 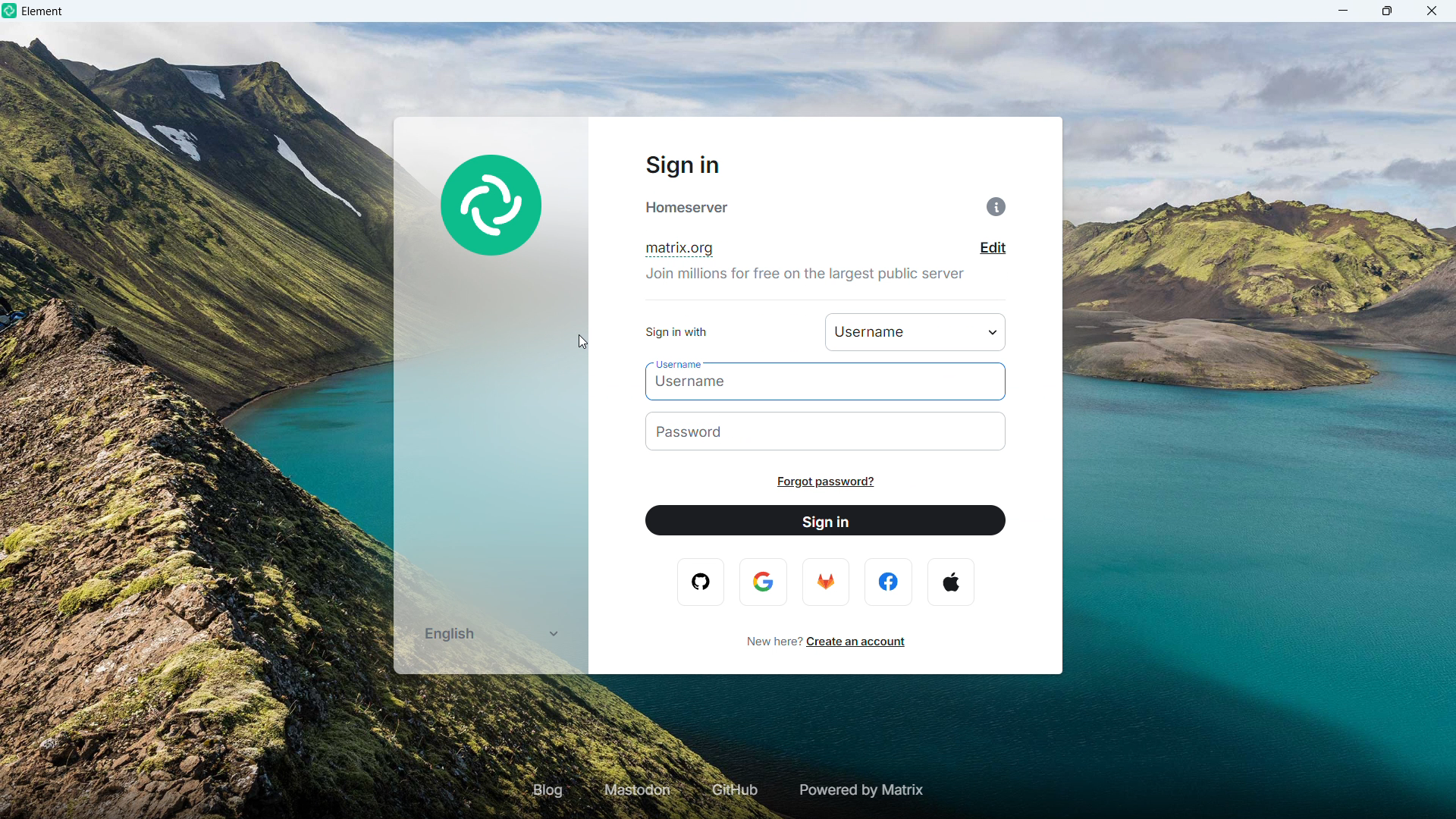 What do you see at coordinates (859, 790) in the screenshot?
I see `Powered by matrix ` at bounding box center [859, 790].